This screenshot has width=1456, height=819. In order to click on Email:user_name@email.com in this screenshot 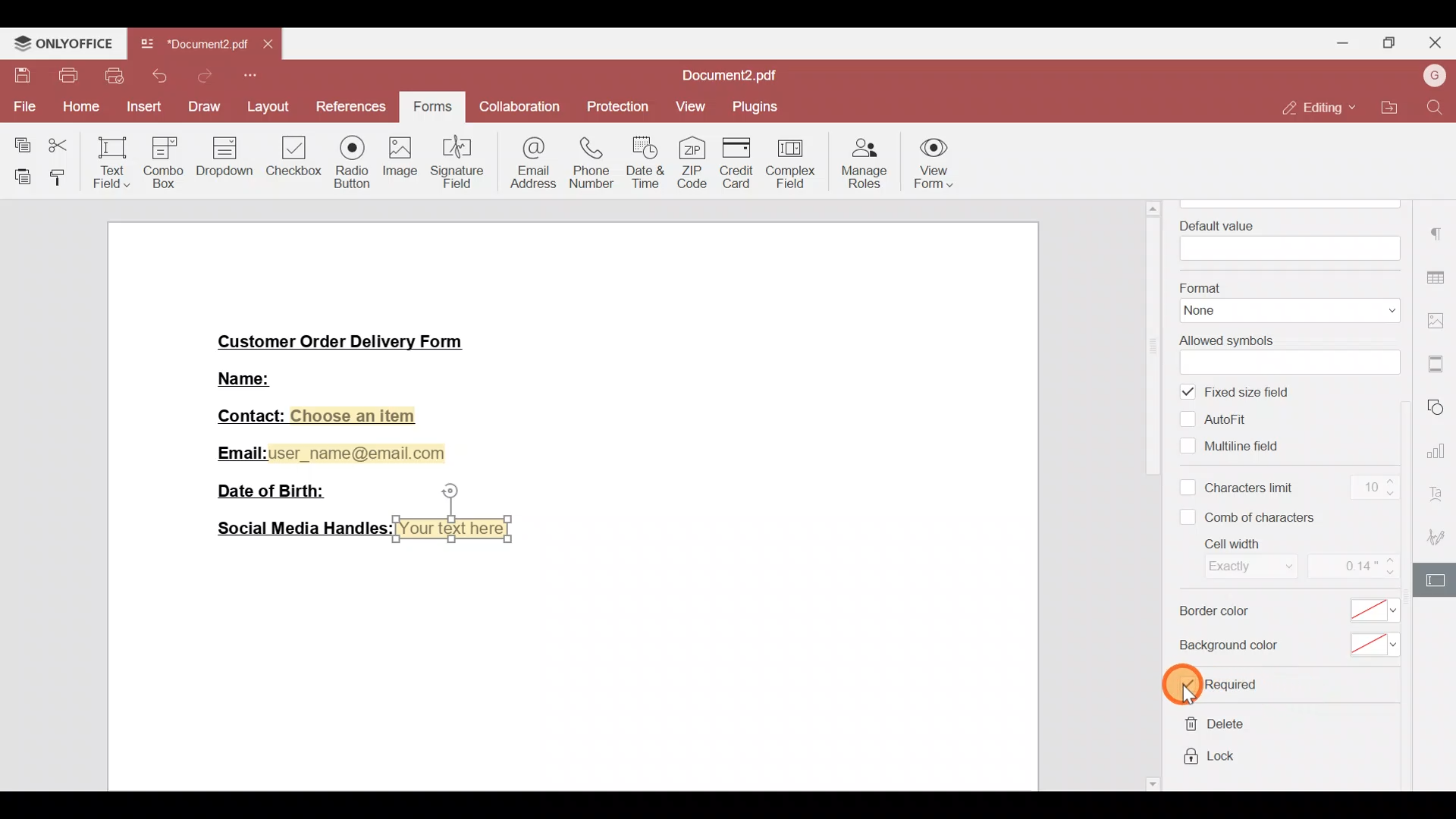, I will do `click(332, 450)`.